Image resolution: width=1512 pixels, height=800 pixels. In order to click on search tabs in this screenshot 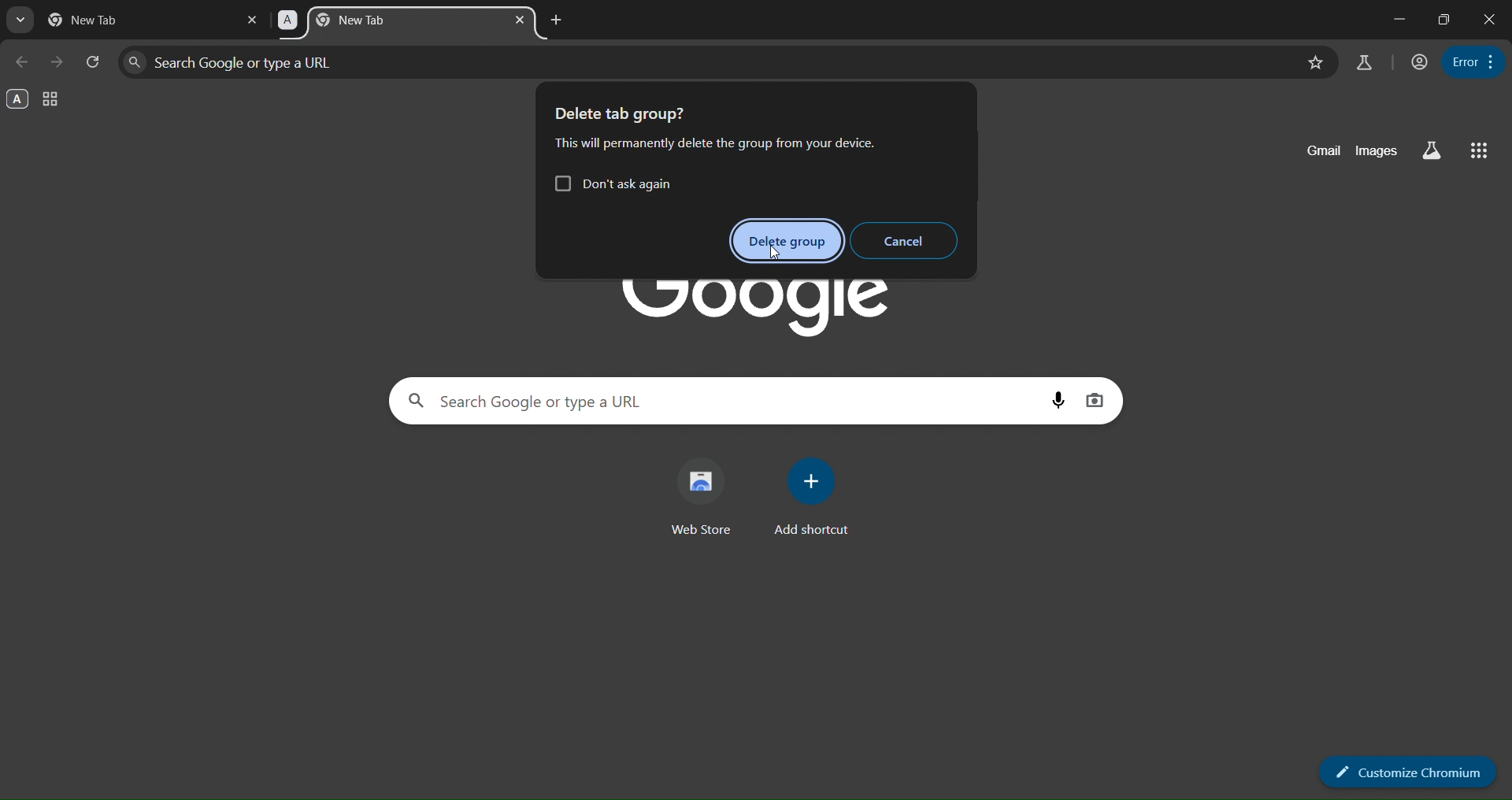, I will do `click(20, 22)`.